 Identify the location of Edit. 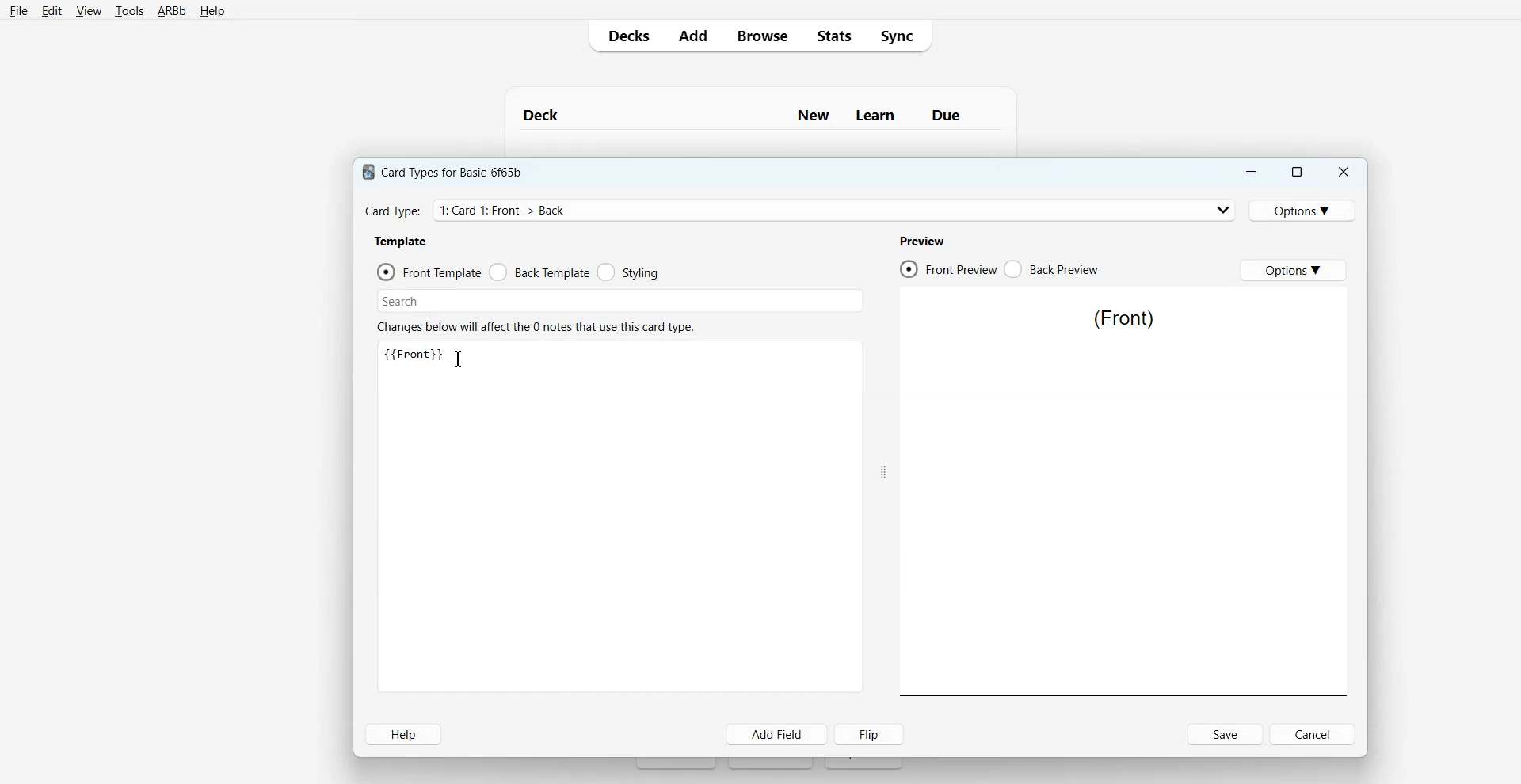
(51, 10).